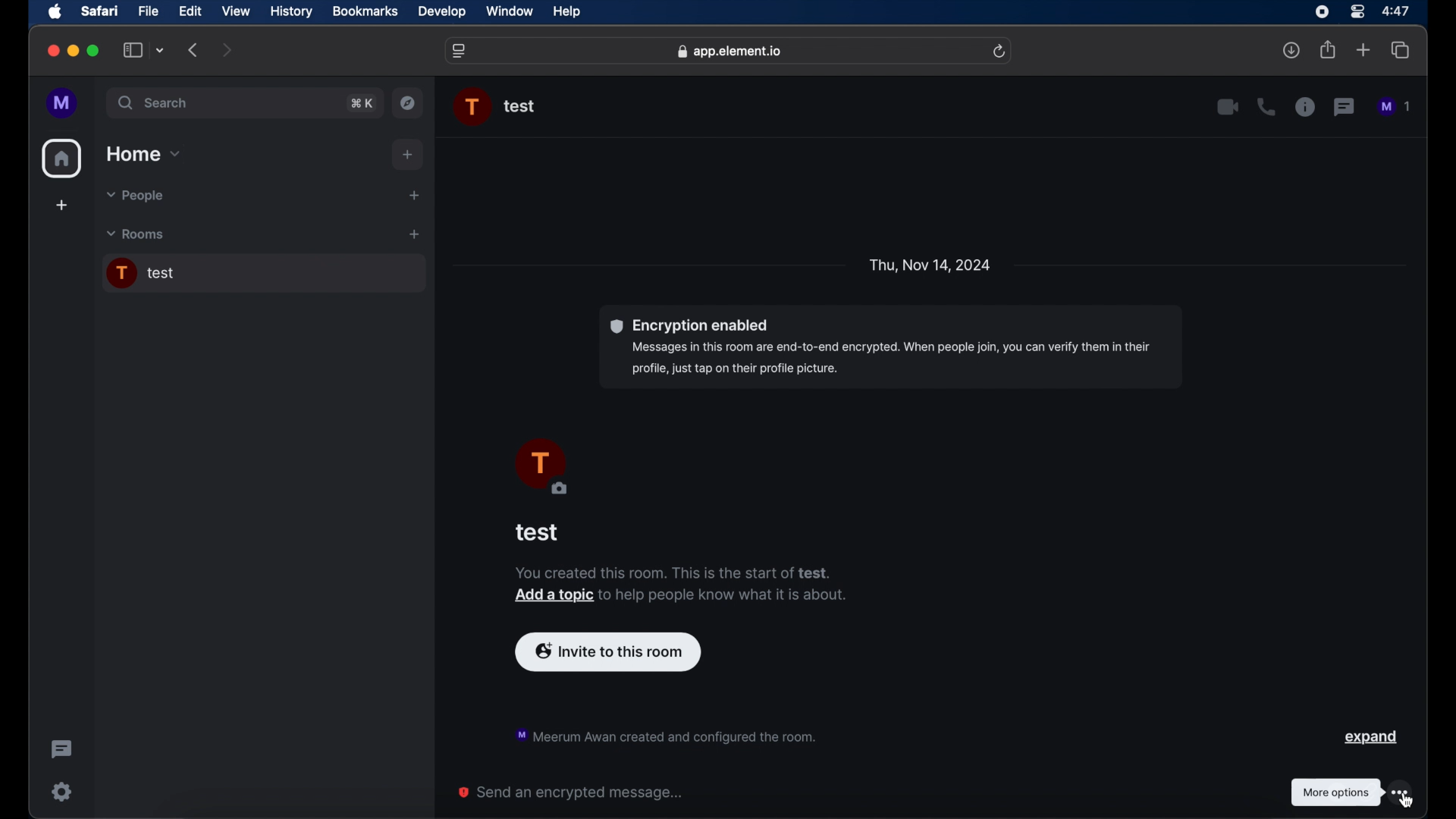 This screenshot has height=819, width=1456. What do you see at coordinates (263, 274) in the screenshot?
I see `chat room` at bounding box center [263, 274].